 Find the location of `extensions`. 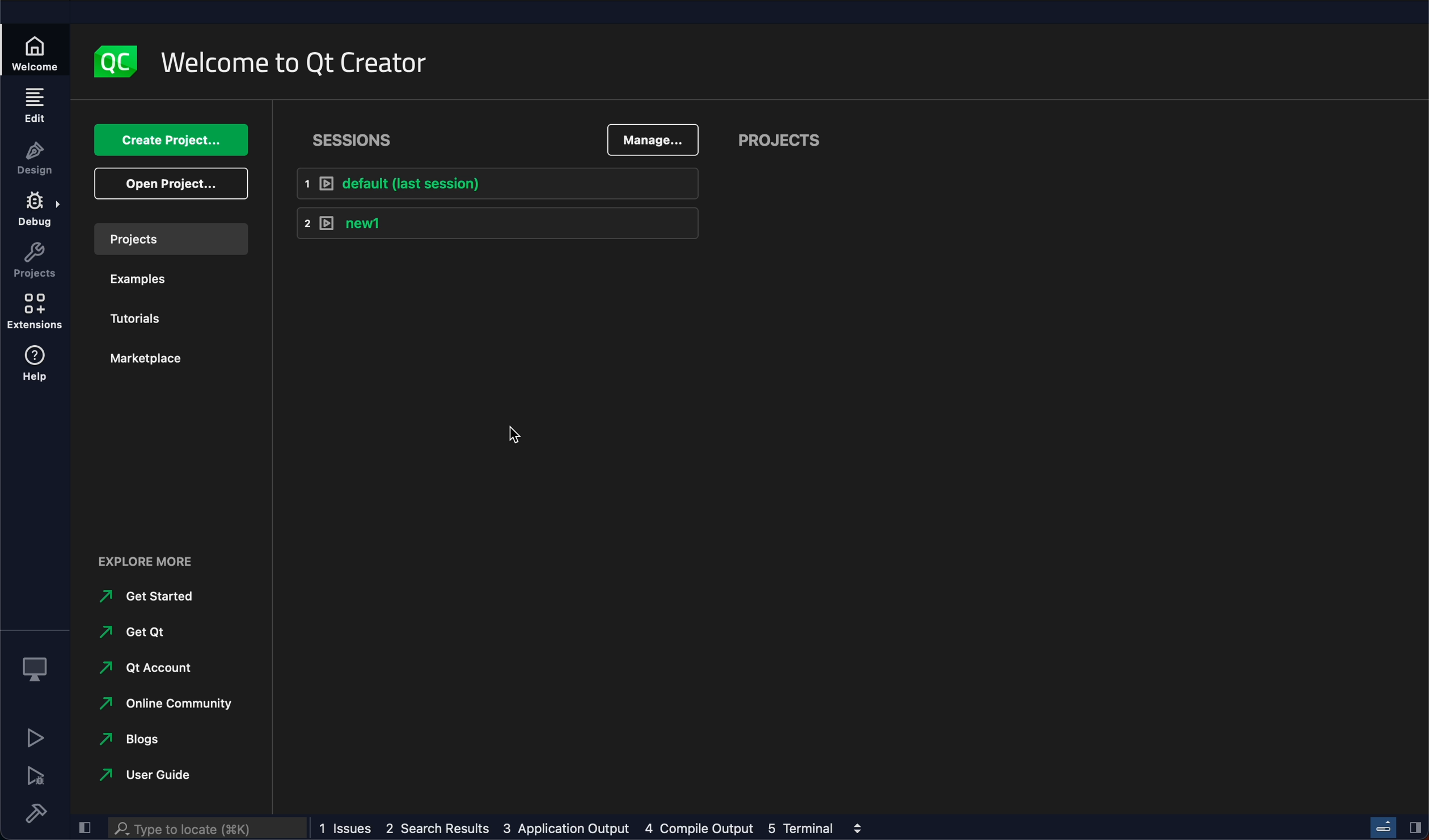

extensions is located at coordinates (35, 313).